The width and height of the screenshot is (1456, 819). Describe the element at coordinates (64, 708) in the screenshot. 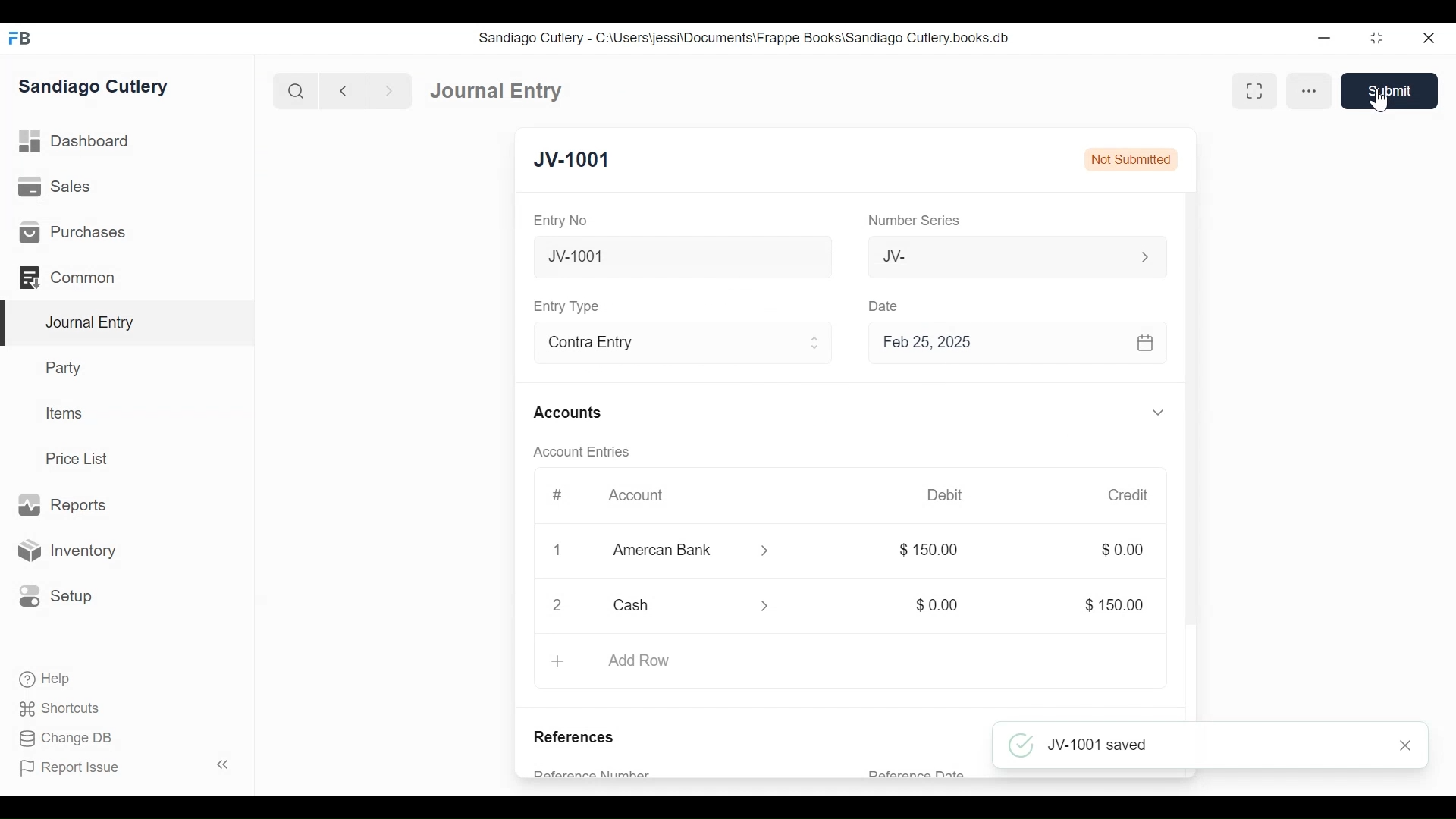

I see `Shortcuts` at that location.